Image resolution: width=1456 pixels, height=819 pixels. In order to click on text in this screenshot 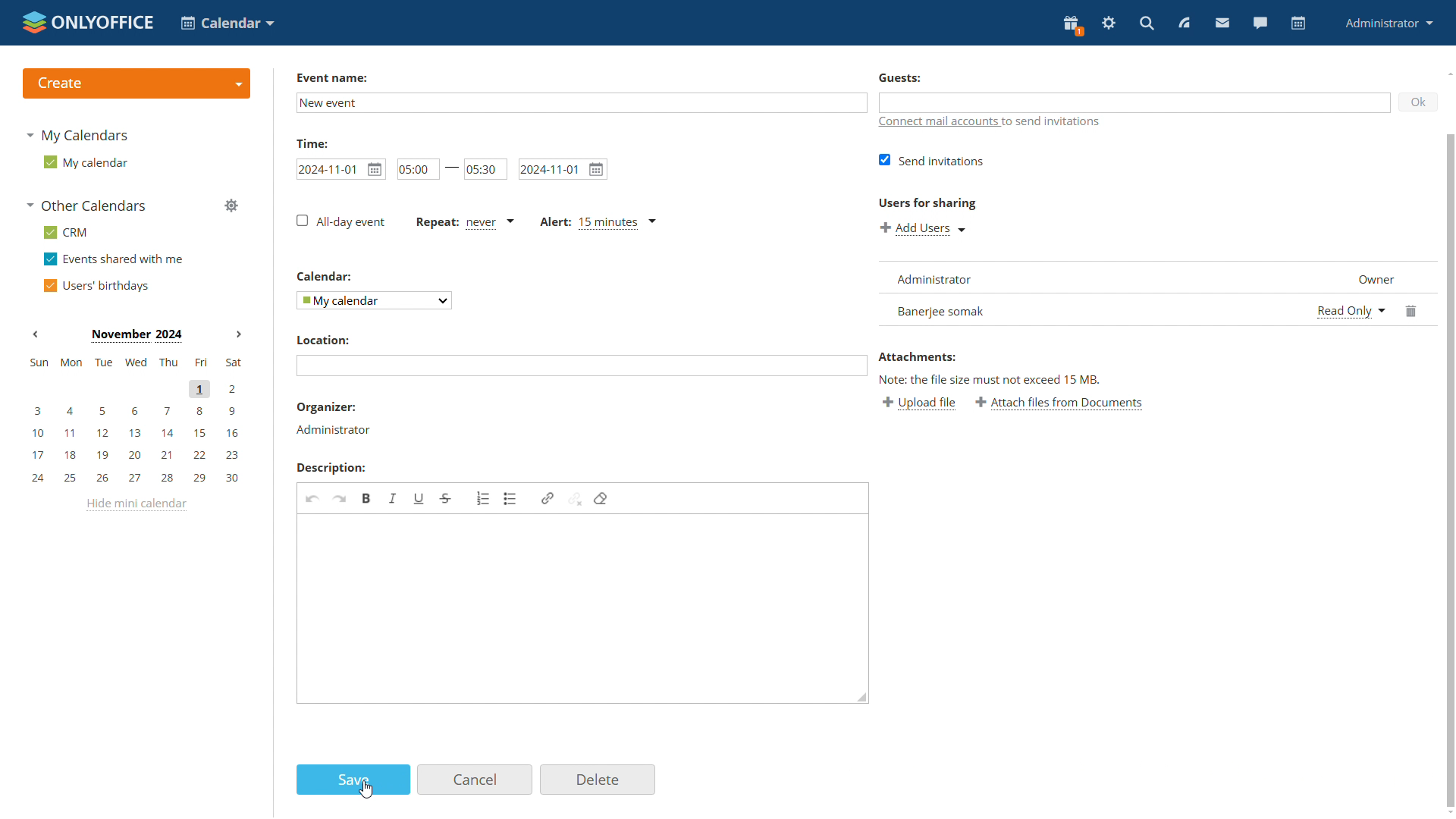, I will do `click(1055, 122)`.